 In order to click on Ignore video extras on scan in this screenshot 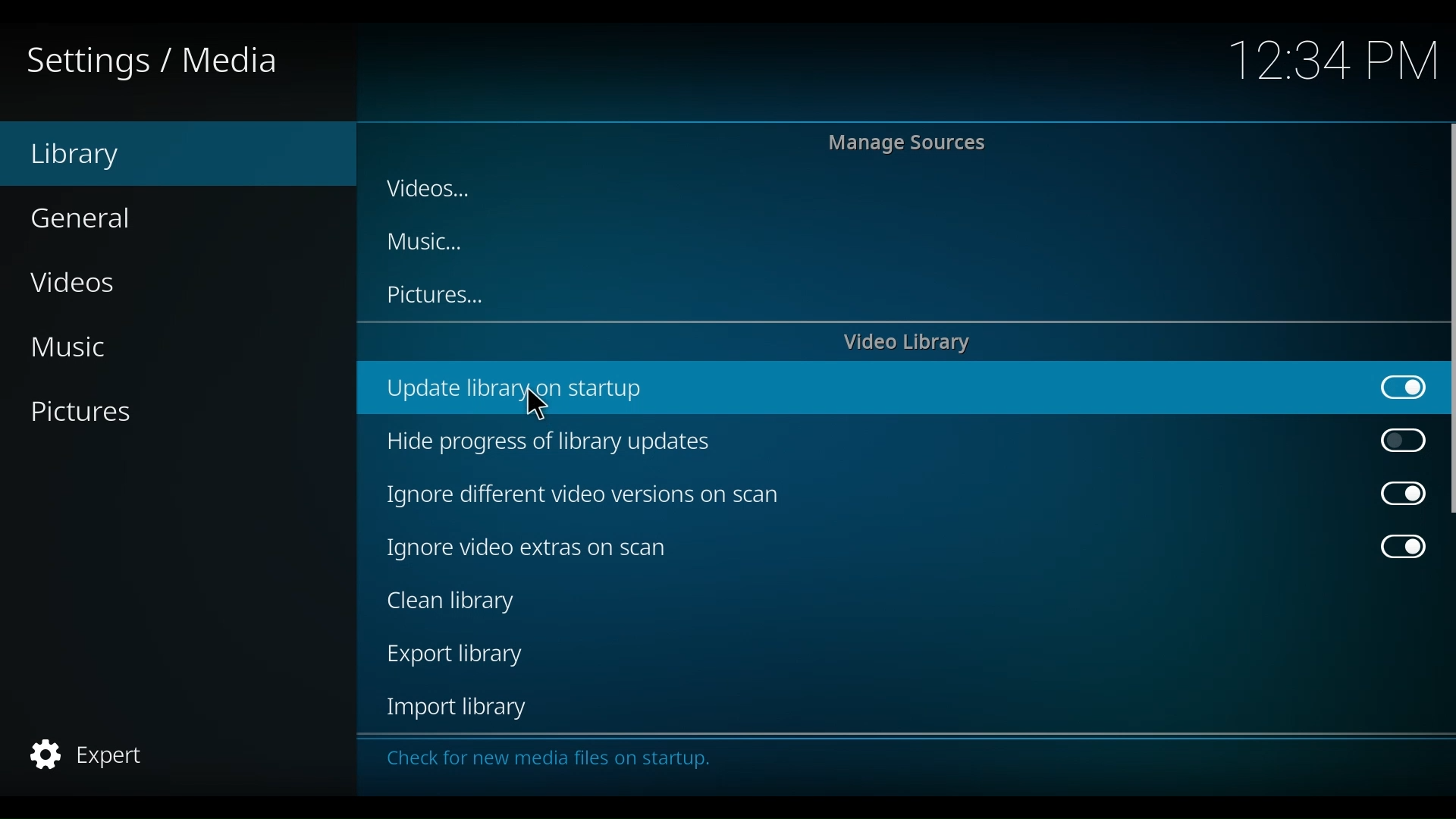, I will do `click(868, 549)`.